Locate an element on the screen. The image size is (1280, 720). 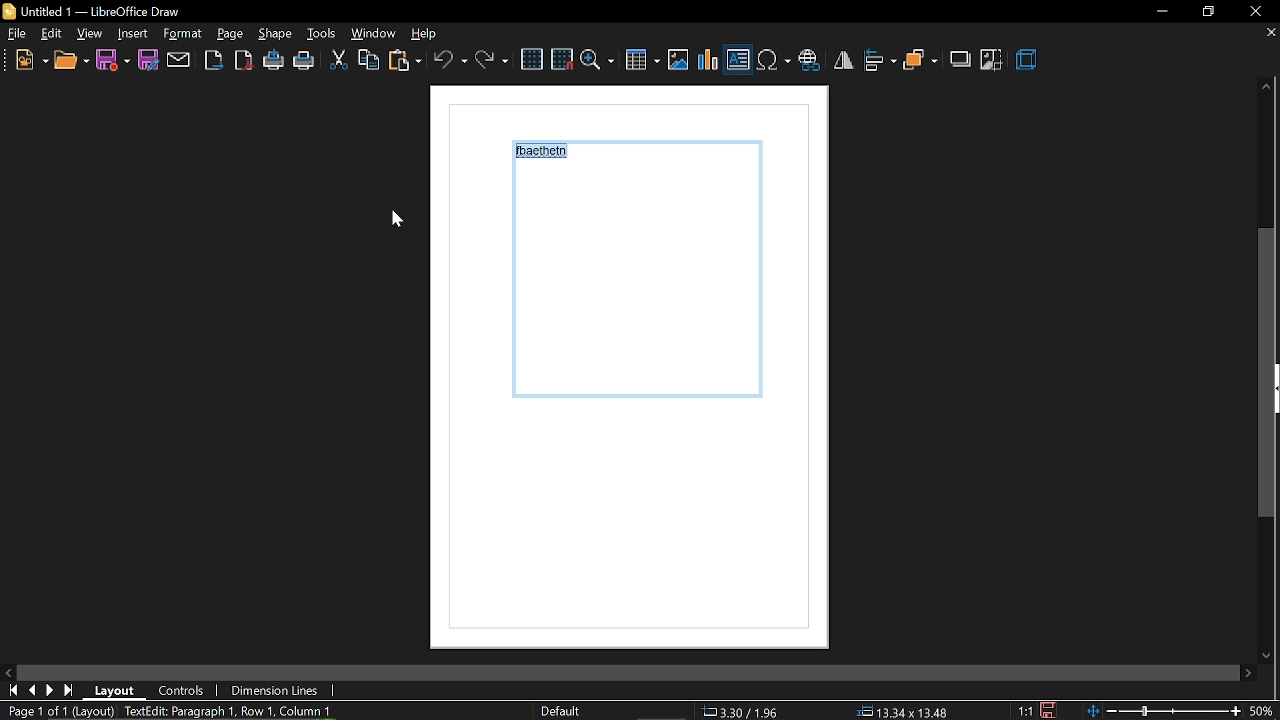
Move down is located at coordinates (1269, 655).